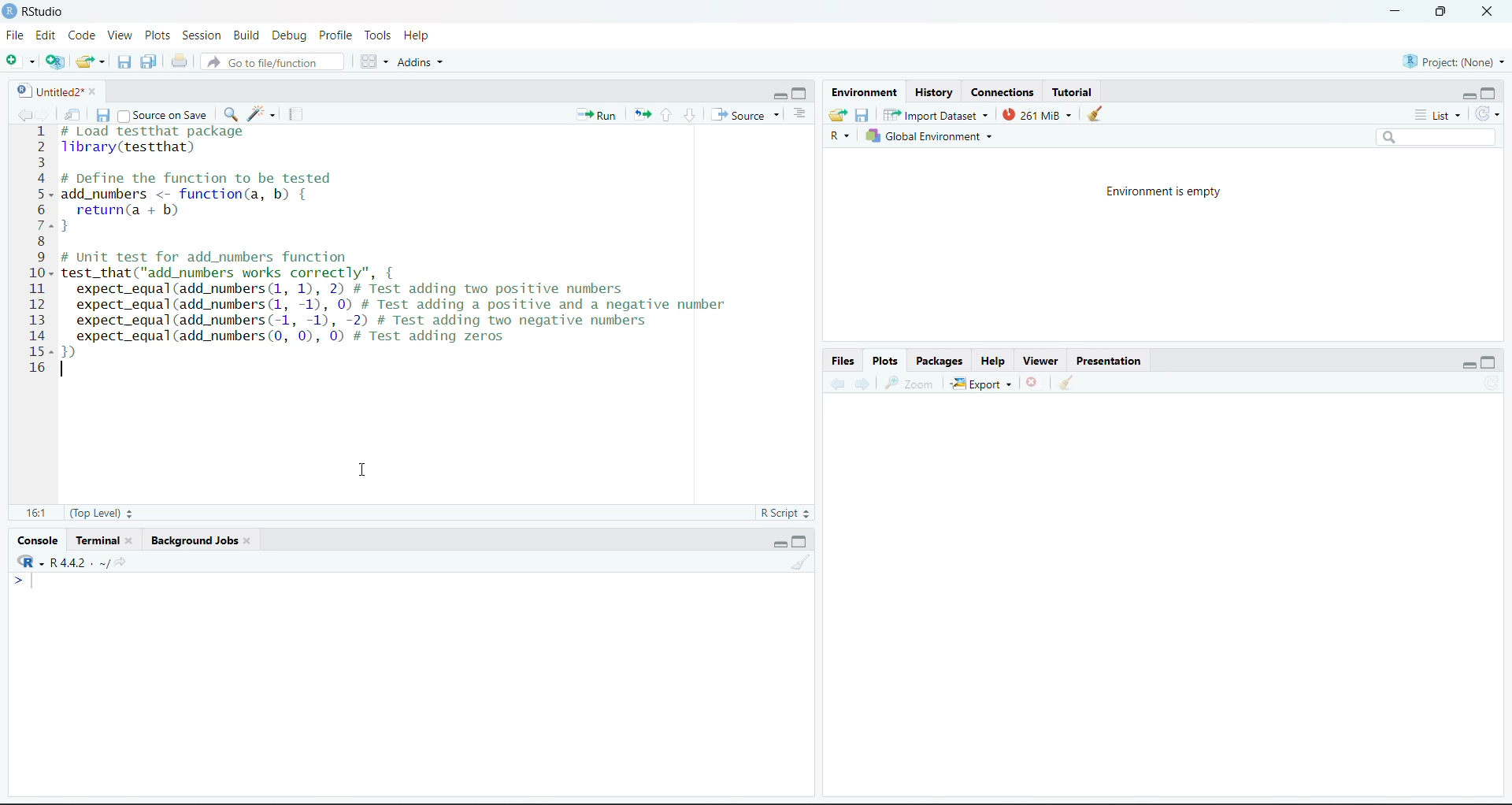 The image size is (1512, 805). I want to click on compile report, so click(297, 113).